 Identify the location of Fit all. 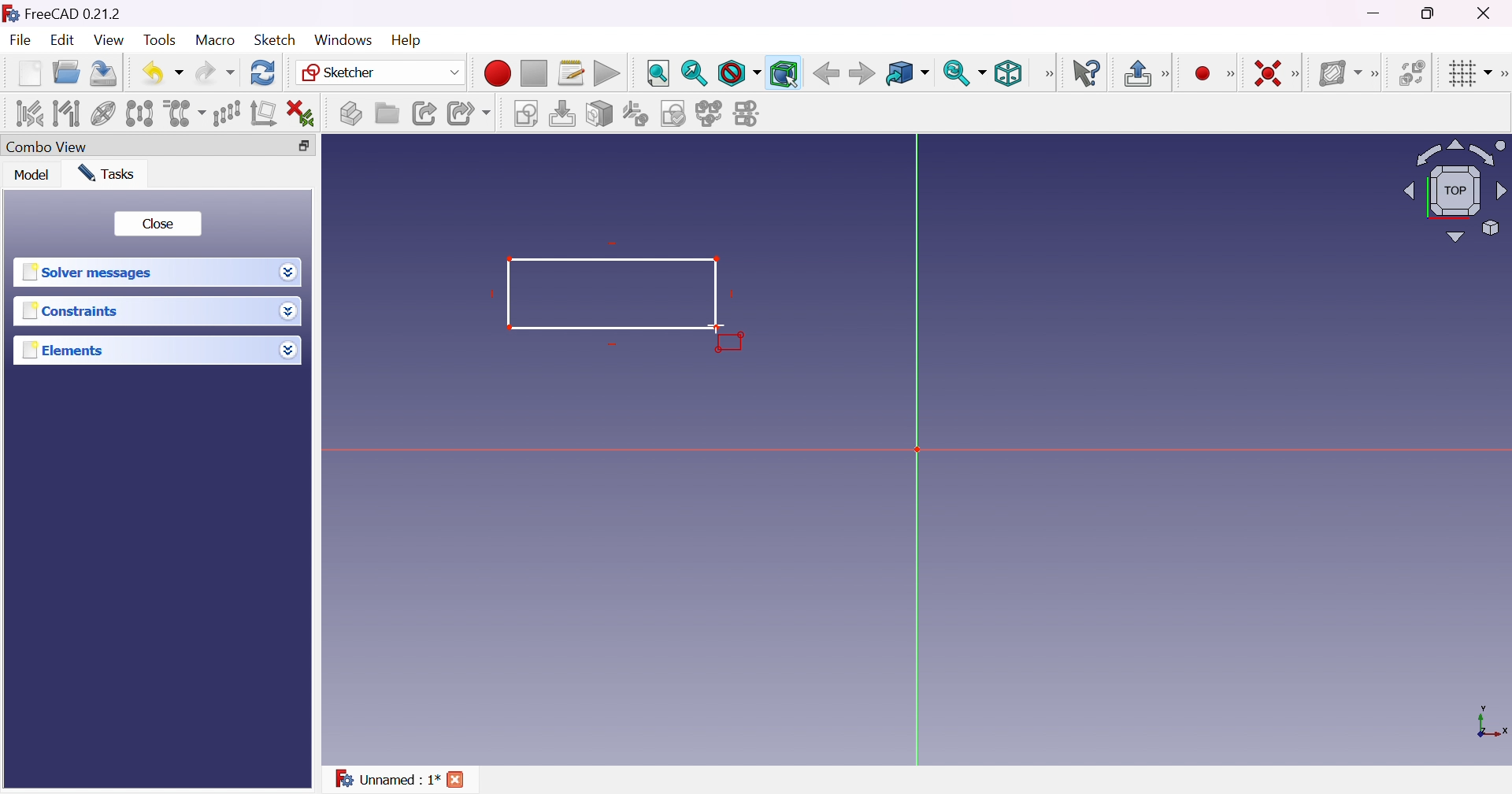
(658, 72).